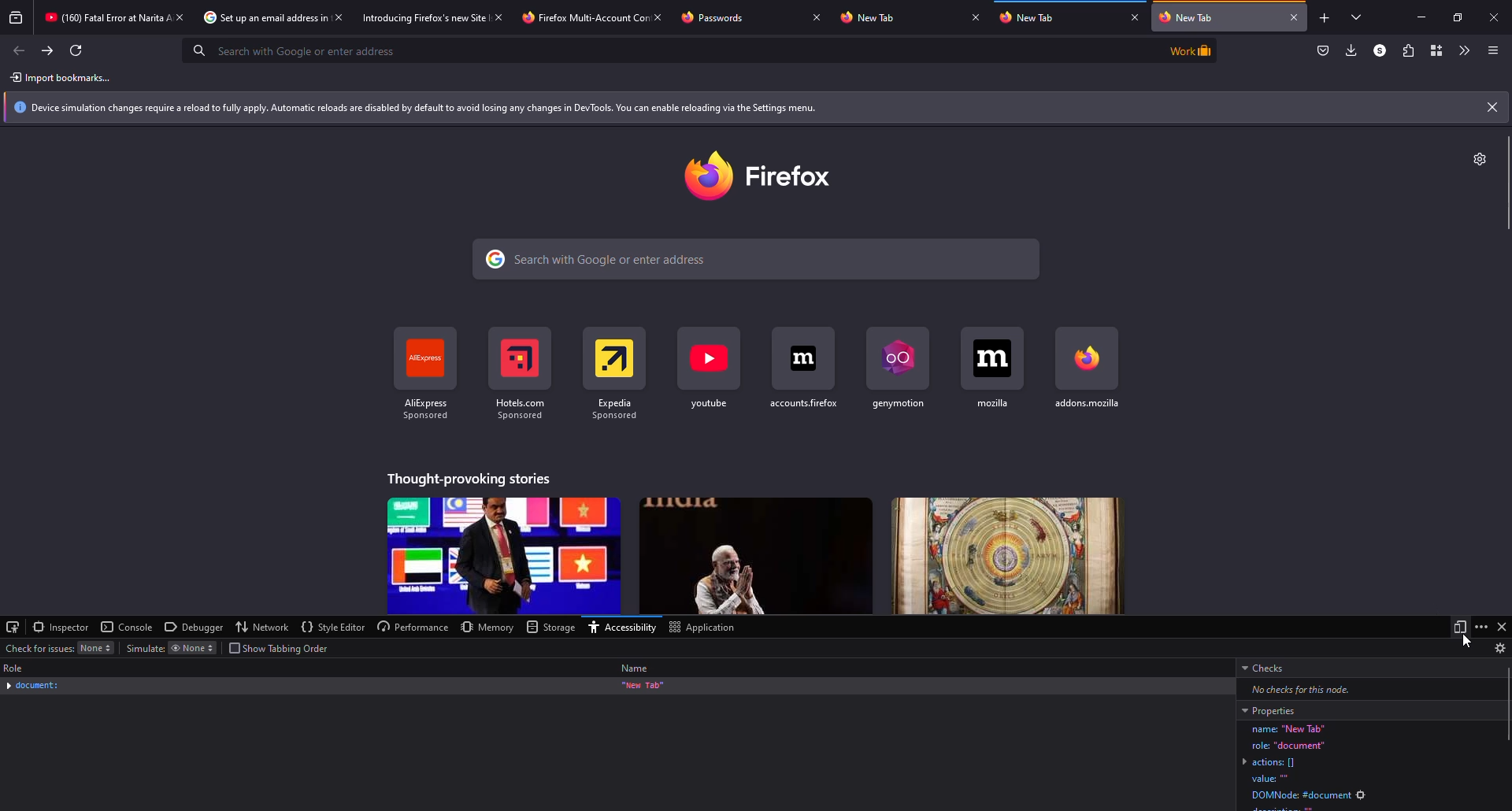  Describe the element at coordinates (709, 370) in the screenshot. I see `YouTube shortcut` at that location.